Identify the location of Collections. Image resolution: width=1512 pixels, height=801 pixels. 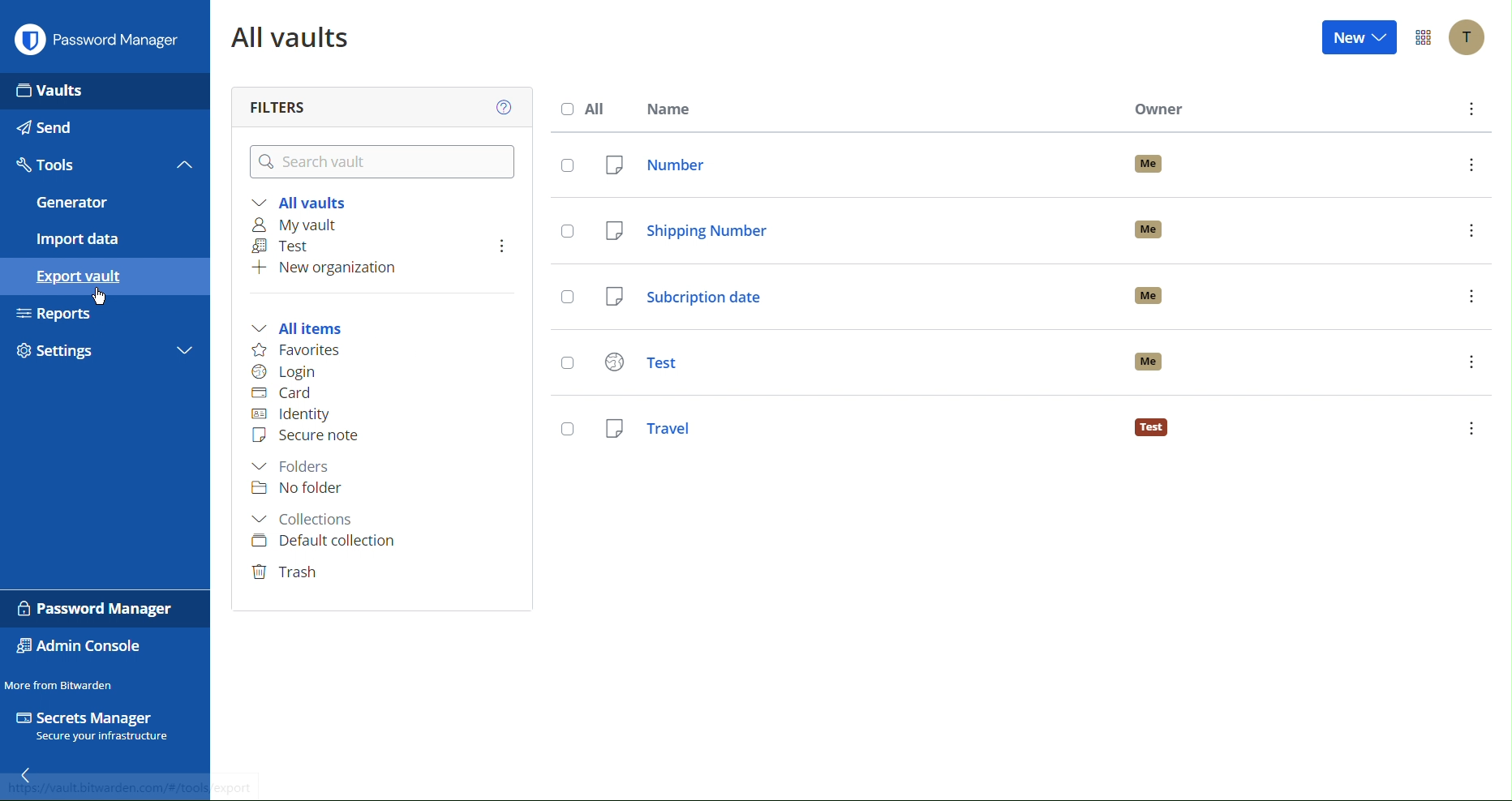
(305, 518).